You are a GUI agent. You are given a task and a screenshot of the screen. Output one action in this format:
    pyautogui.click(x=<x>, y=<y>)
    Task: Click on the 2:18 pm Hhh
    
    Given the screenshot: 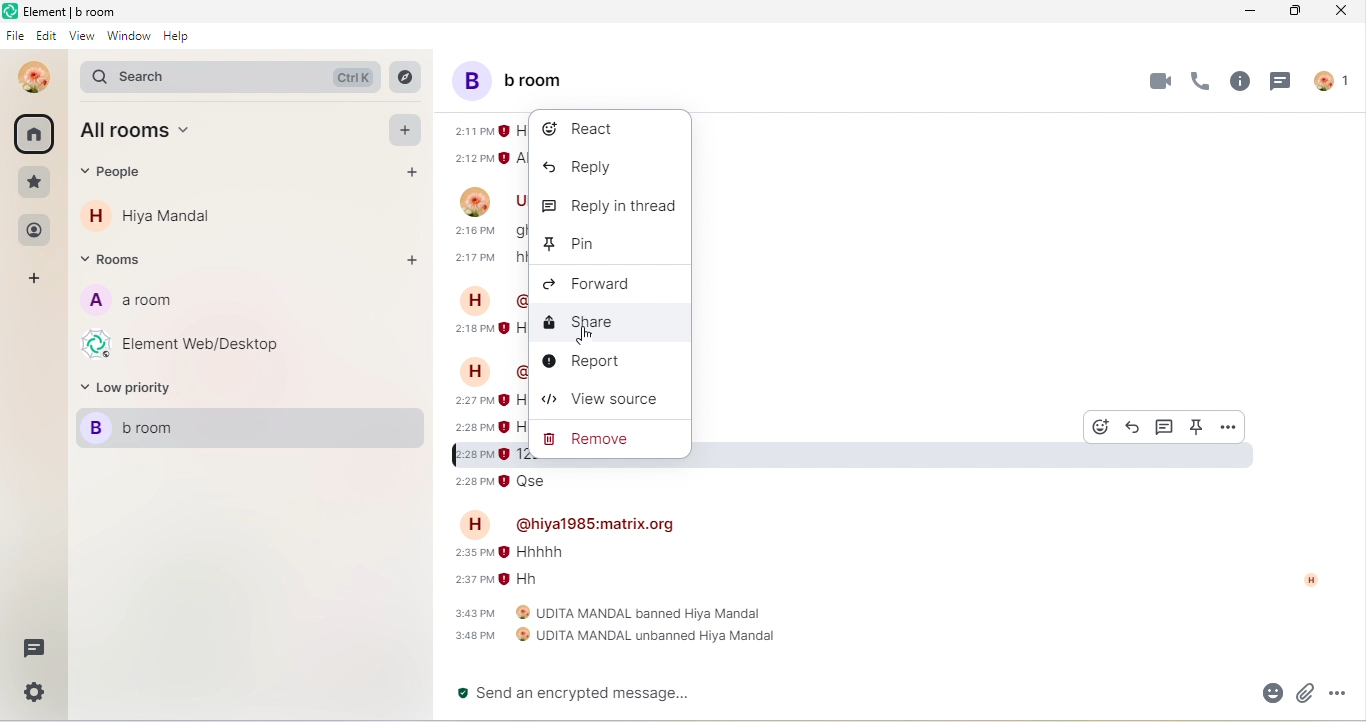 What is the action you would take?
    pyautogui.click(x=490, y=329)
    